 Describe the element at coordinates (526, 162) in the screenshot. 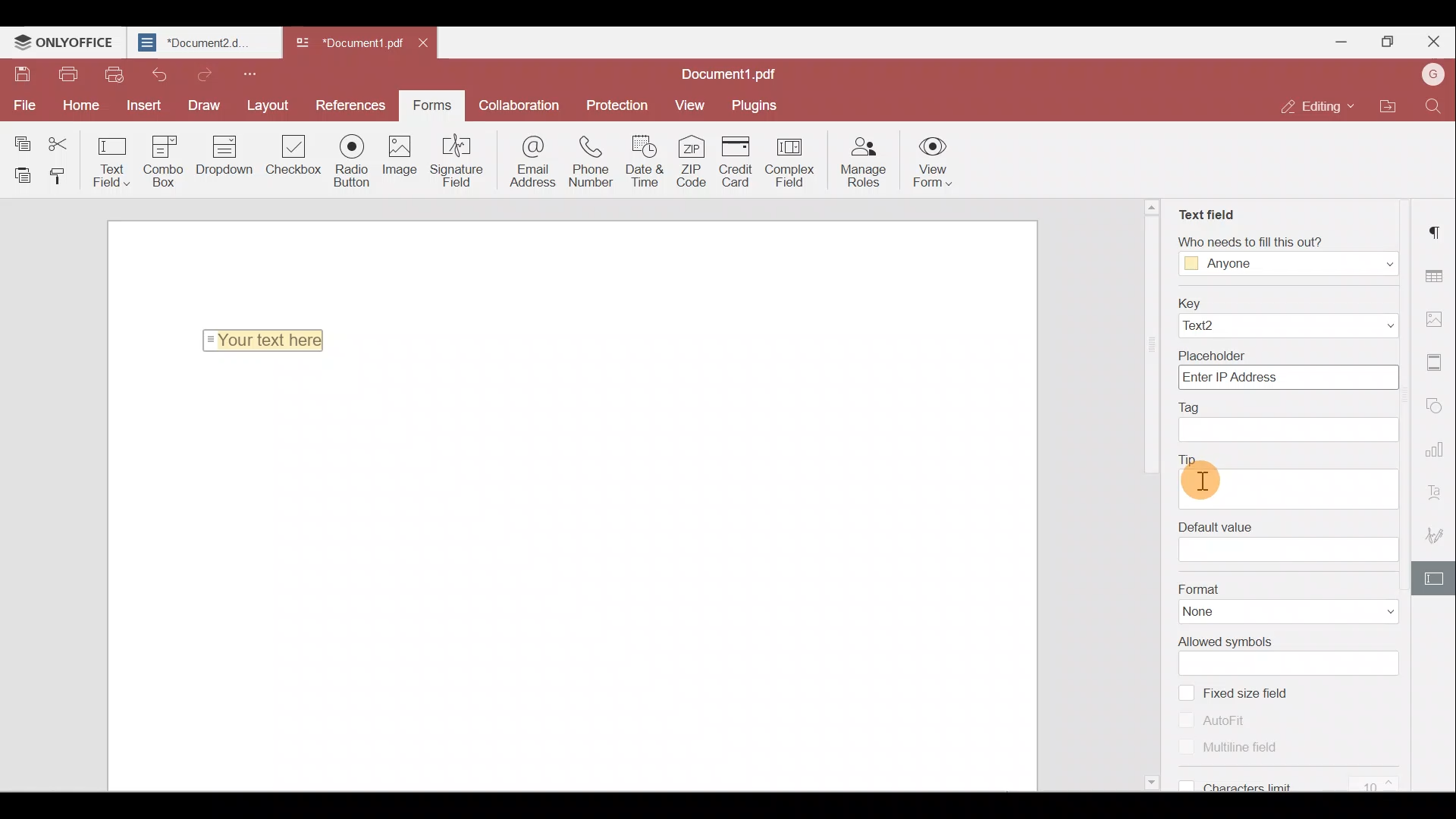

I see `Email address` at that location.